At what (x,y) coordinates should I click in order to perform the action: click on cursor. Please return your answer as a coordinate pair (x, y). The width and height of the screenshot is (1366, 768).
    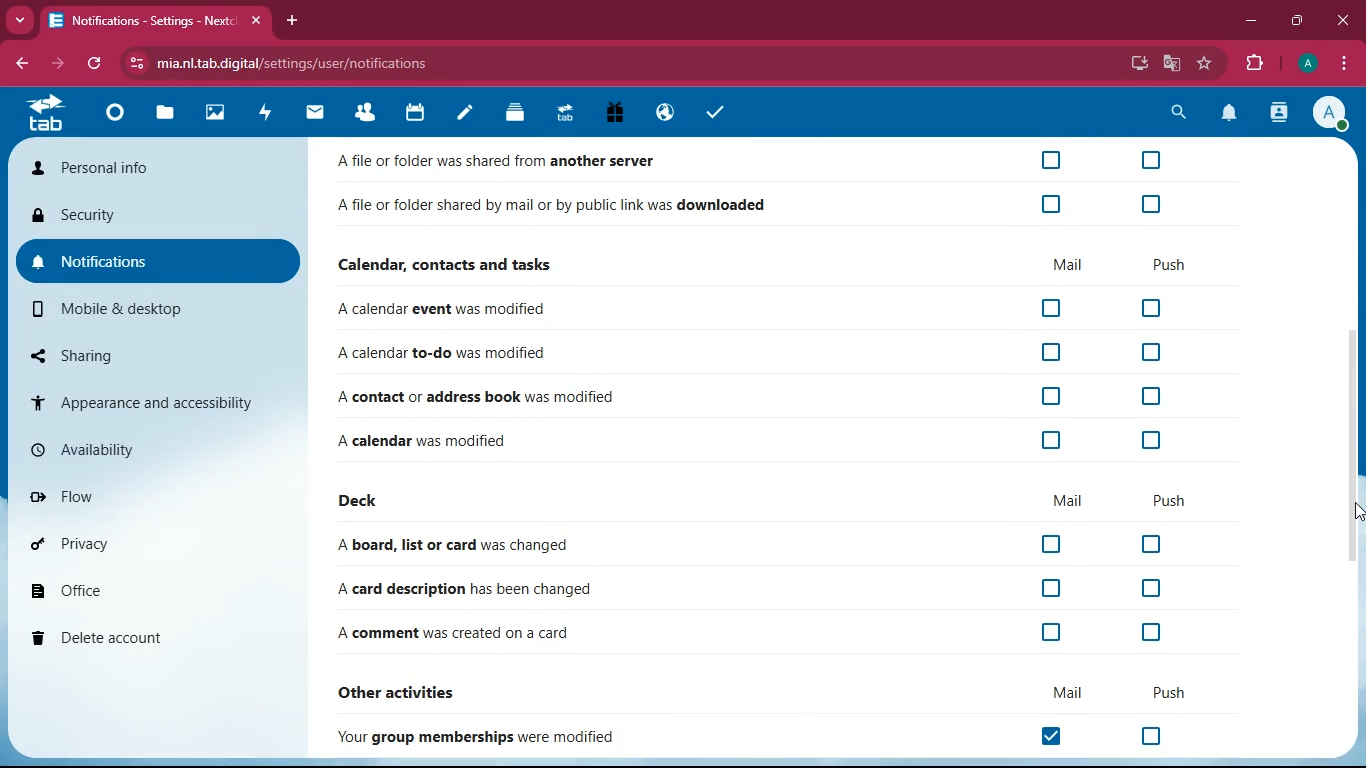
    Looking at the image, I should click on (1357, 511).